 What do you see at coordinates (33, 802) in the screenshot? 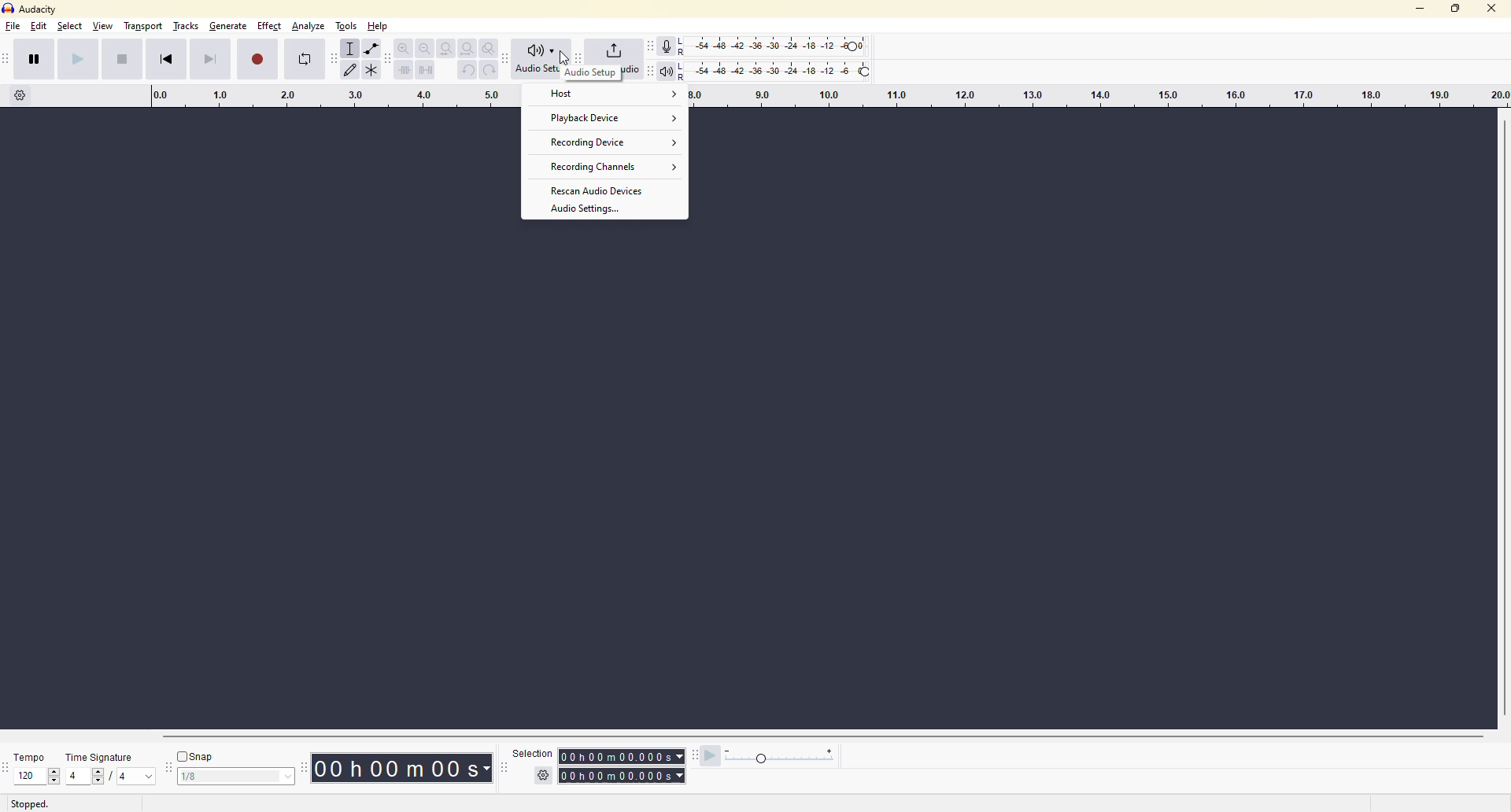
I see `stopped` at bounding box center [33, 802].